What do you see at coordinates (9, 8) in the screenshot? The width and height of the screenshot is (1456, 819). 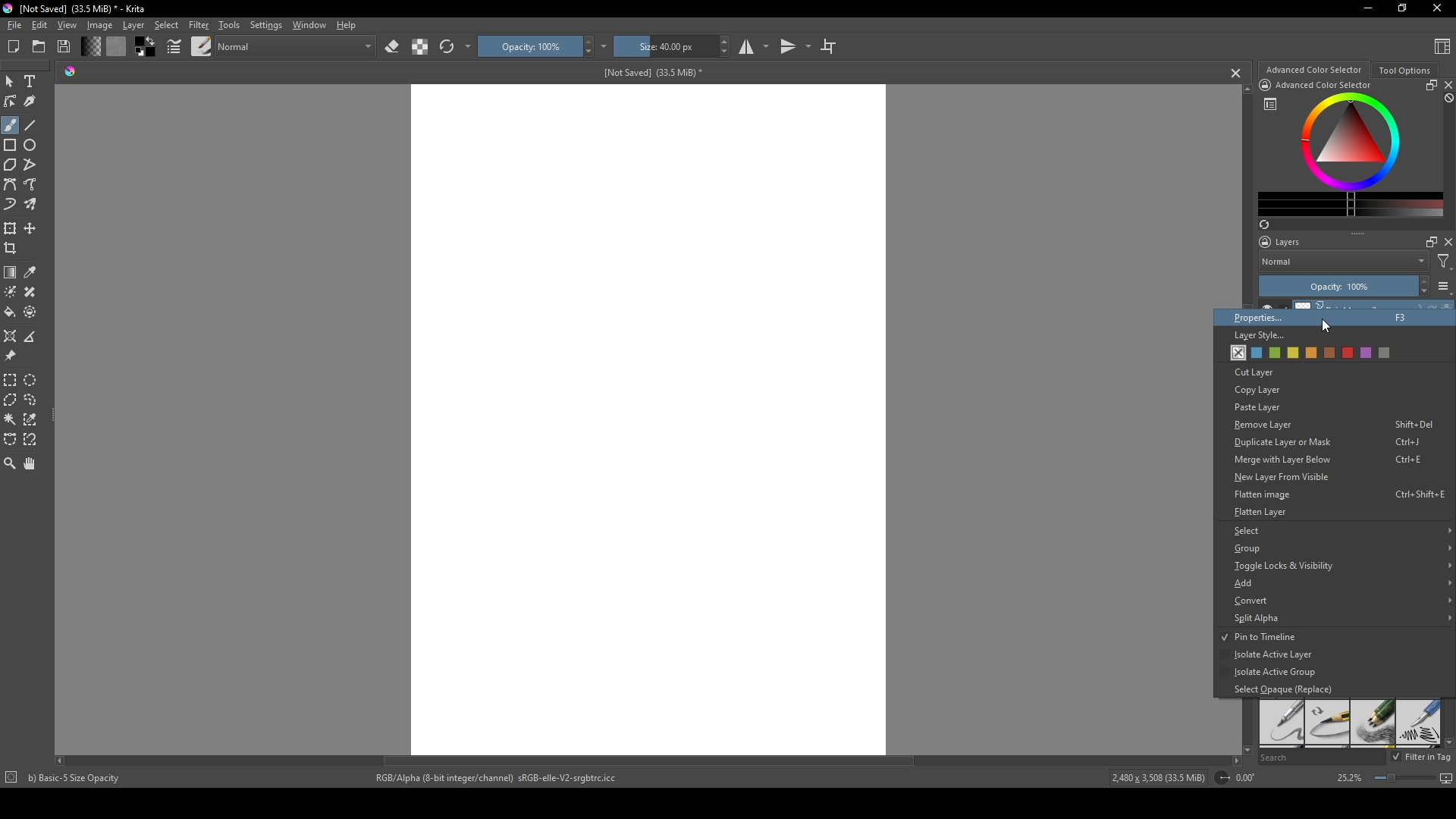 I see `logo` at bounding box center [9, 8].